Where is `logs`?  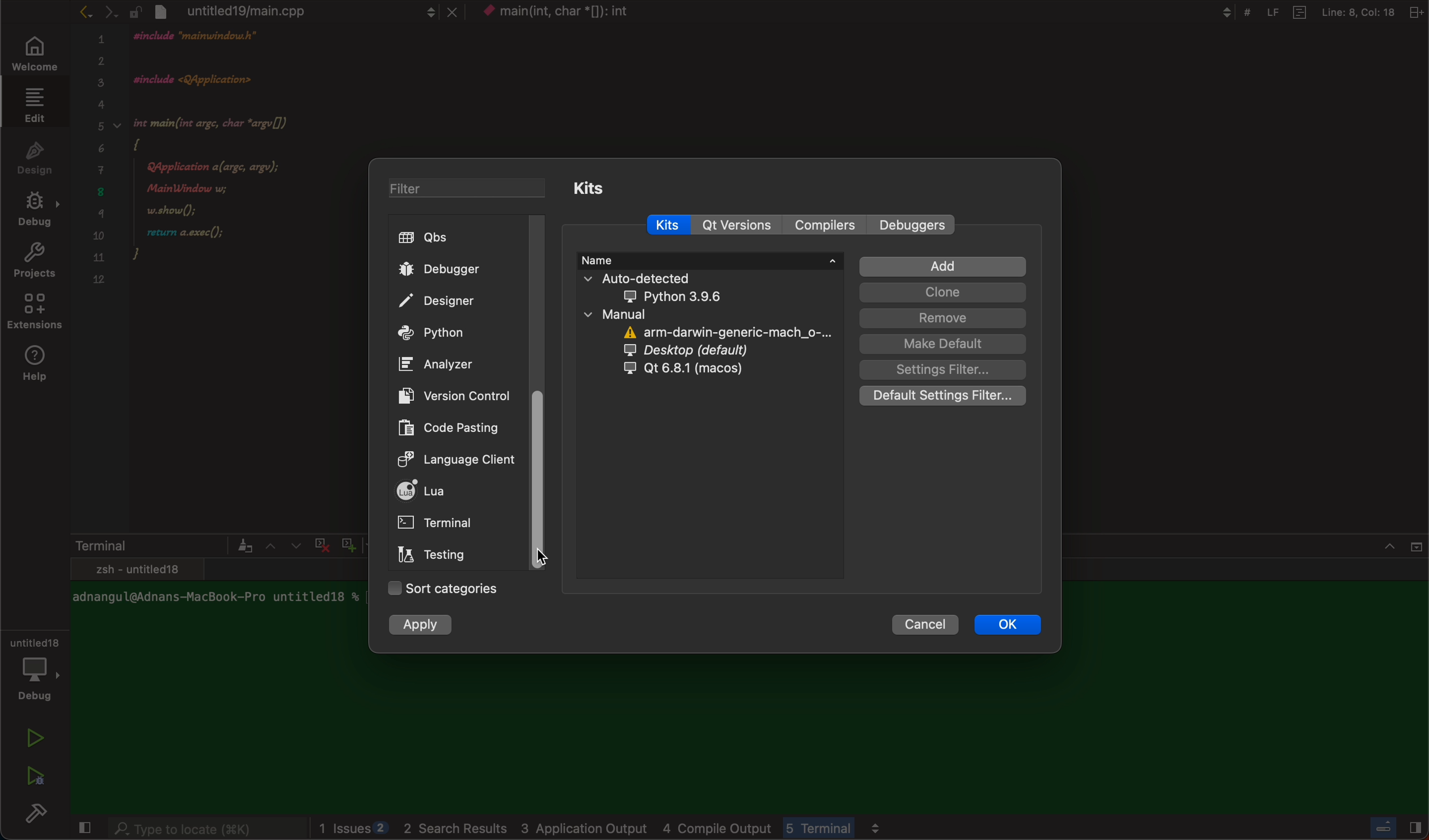 logs is located at coordinates (674, 829).